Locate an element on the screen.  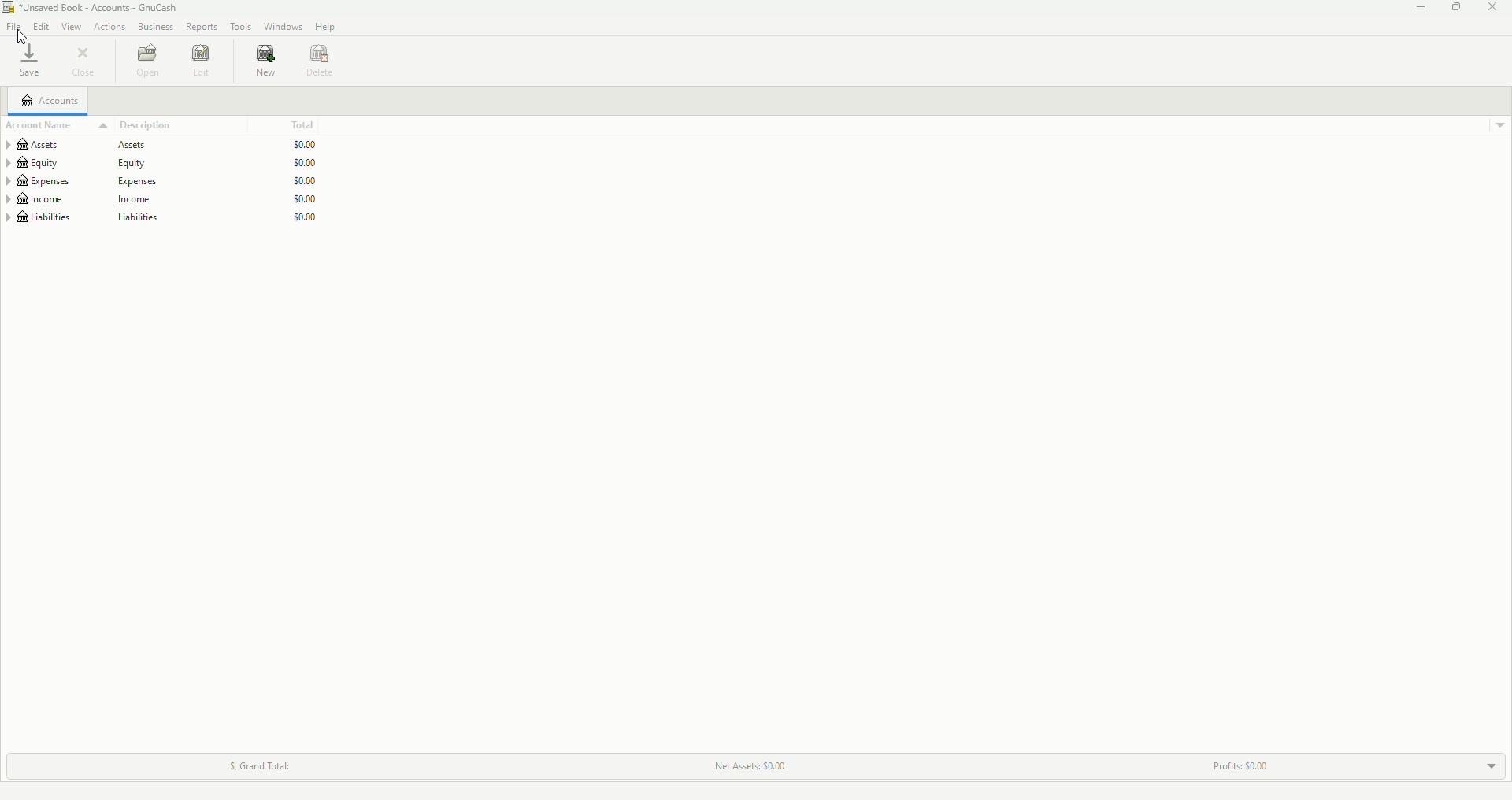
Delete is located at coordinates (324, 62).